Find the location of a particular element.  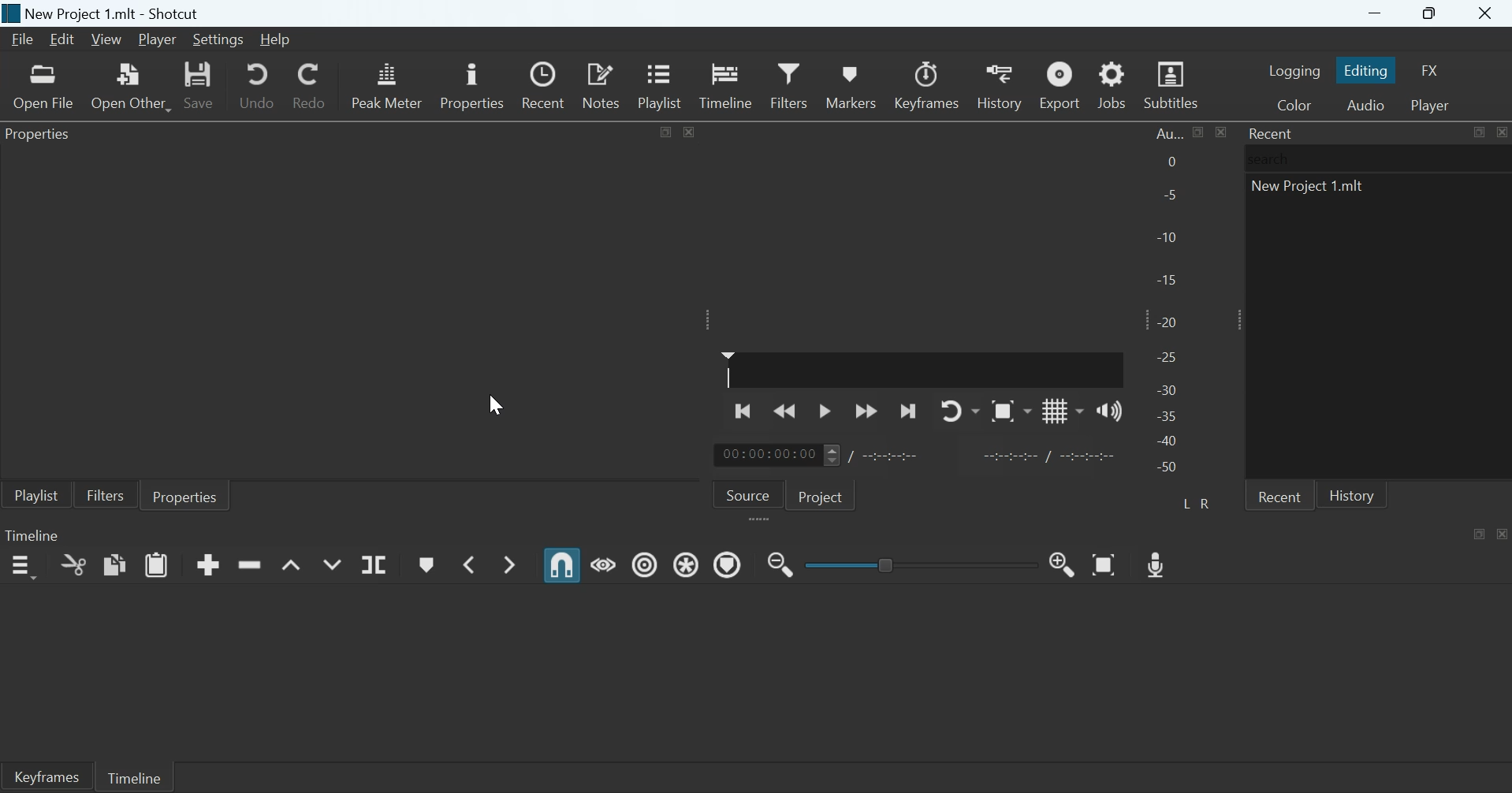

Undo is located at coordinates (257, 84).